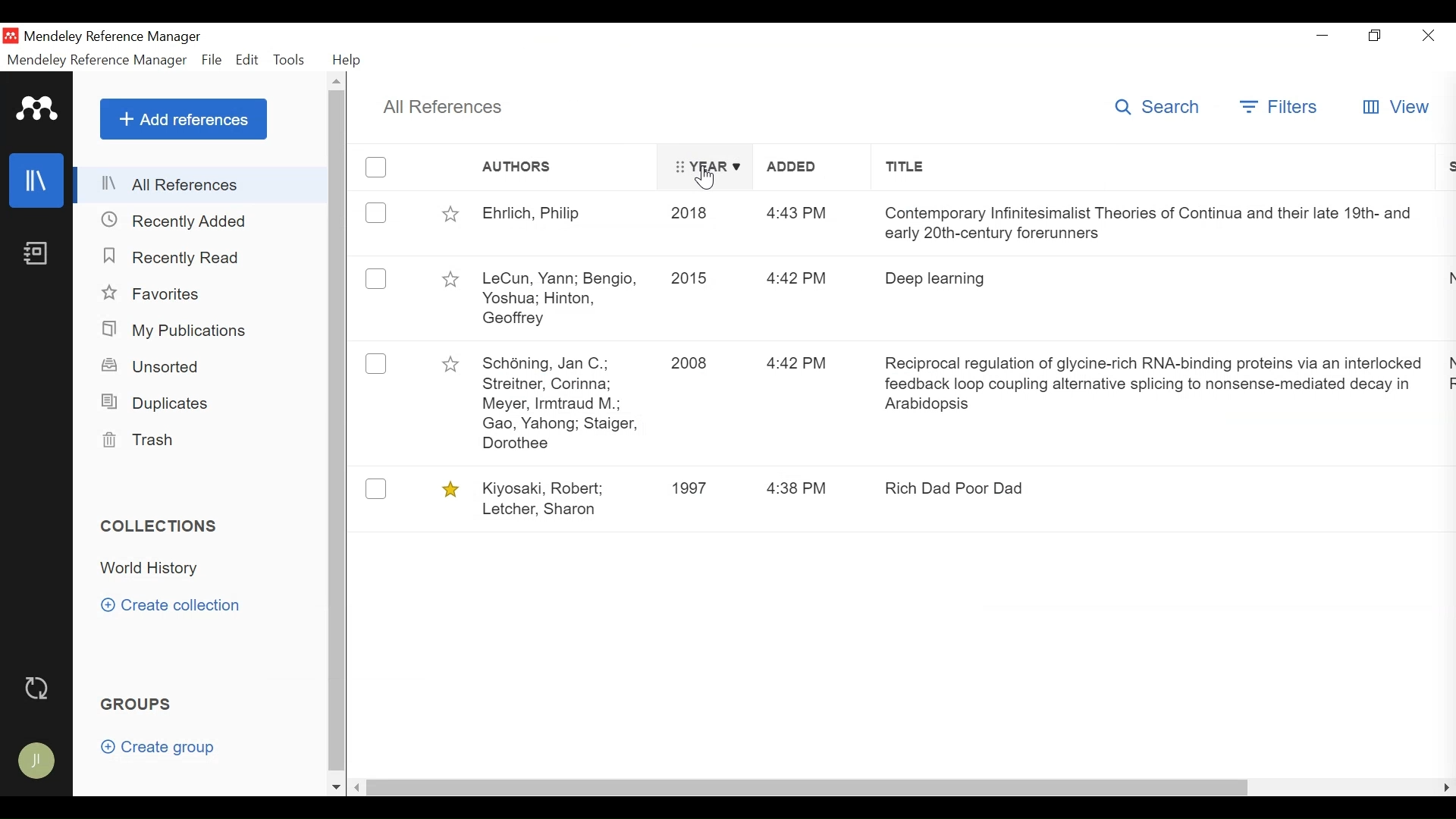  Describe the element at coordinates (161, 748) in the screenshot. I see `Create Group` at that location.